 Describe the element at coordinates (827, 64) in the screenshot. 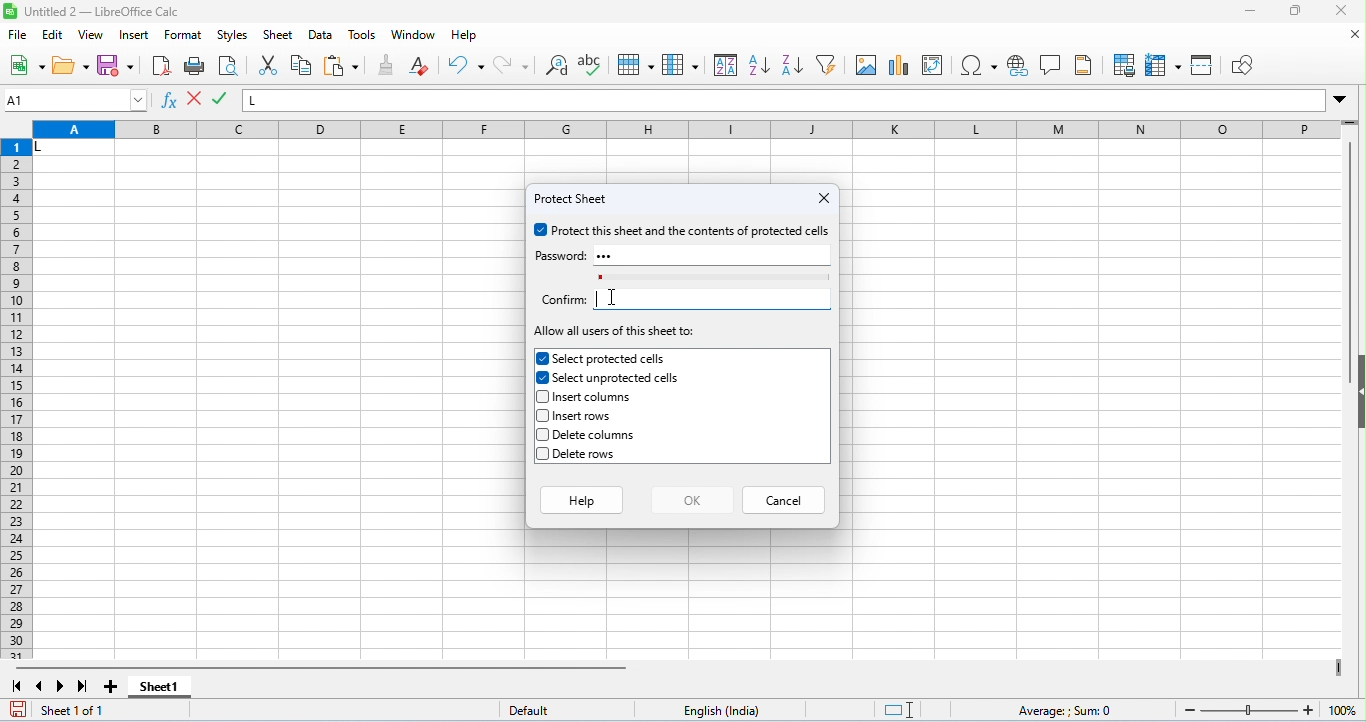

I see `filter` at that location.